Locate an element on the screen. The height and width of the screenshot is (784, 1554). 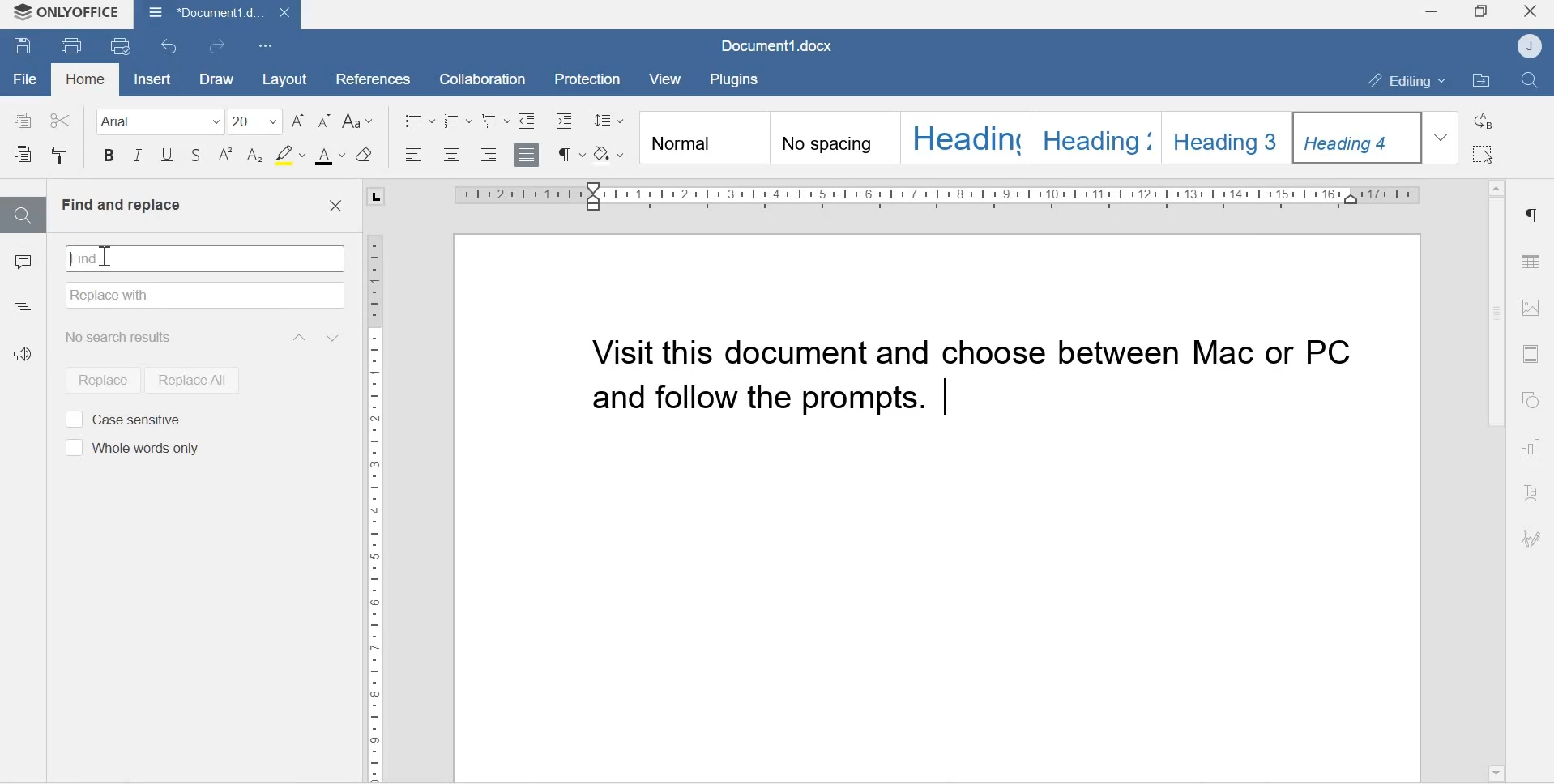
Close find is located at coordinates (335, 207).